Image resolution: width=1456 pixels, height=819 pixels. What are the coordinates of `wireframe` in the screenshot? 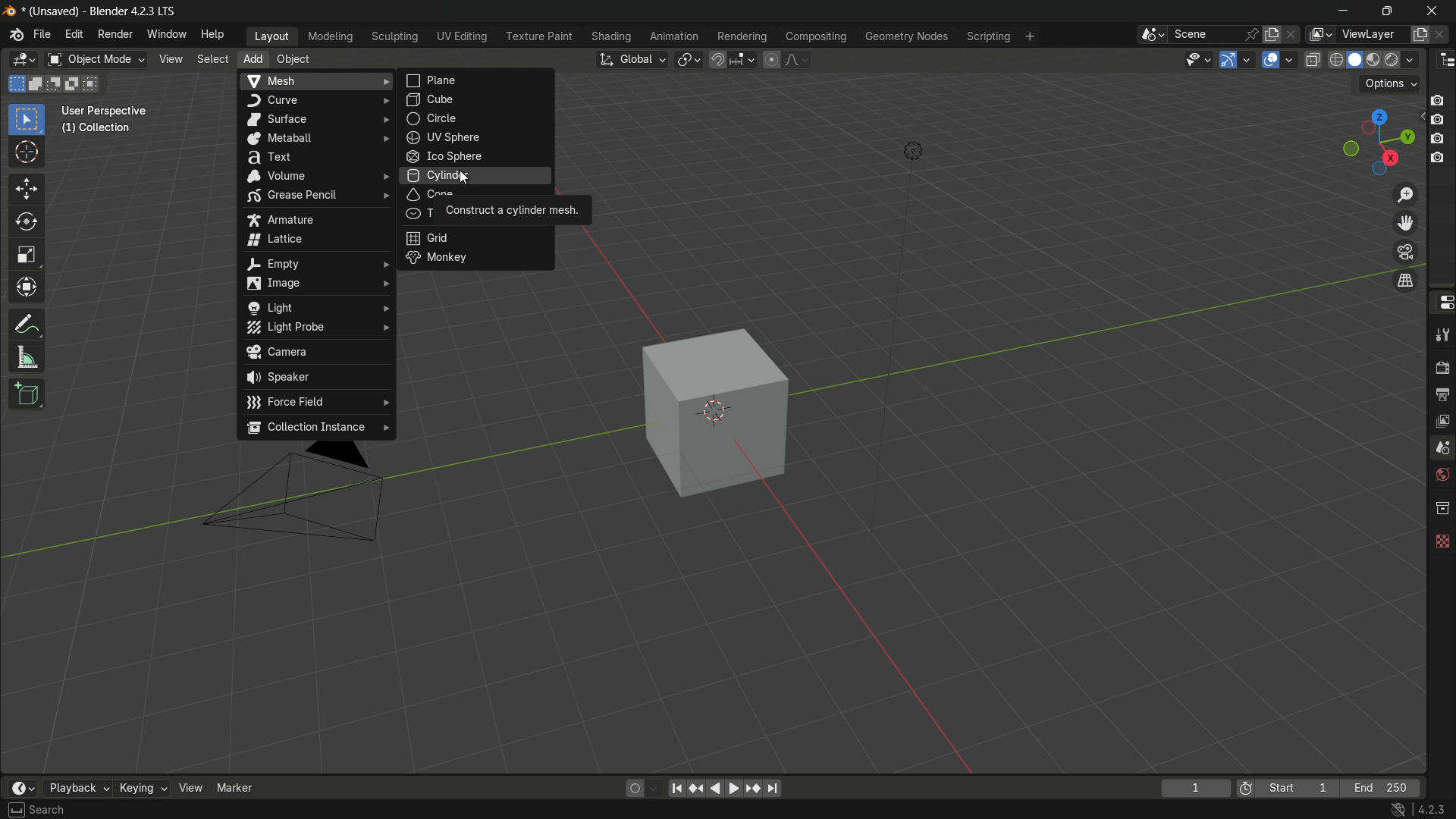 It's located at (1336, 60).